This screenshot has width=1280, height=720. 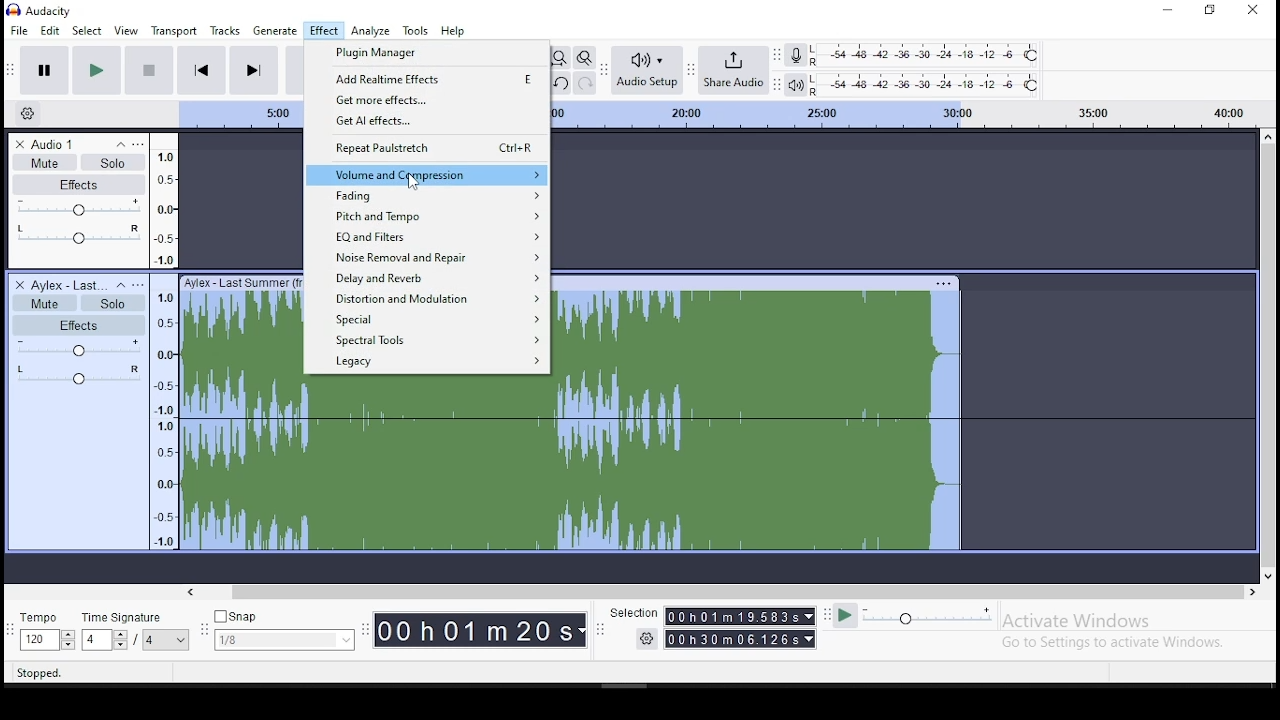 What do you see at coordinates (920, 617) in the screenshot?
I see `playback speed` at bounding box center [920, 617].